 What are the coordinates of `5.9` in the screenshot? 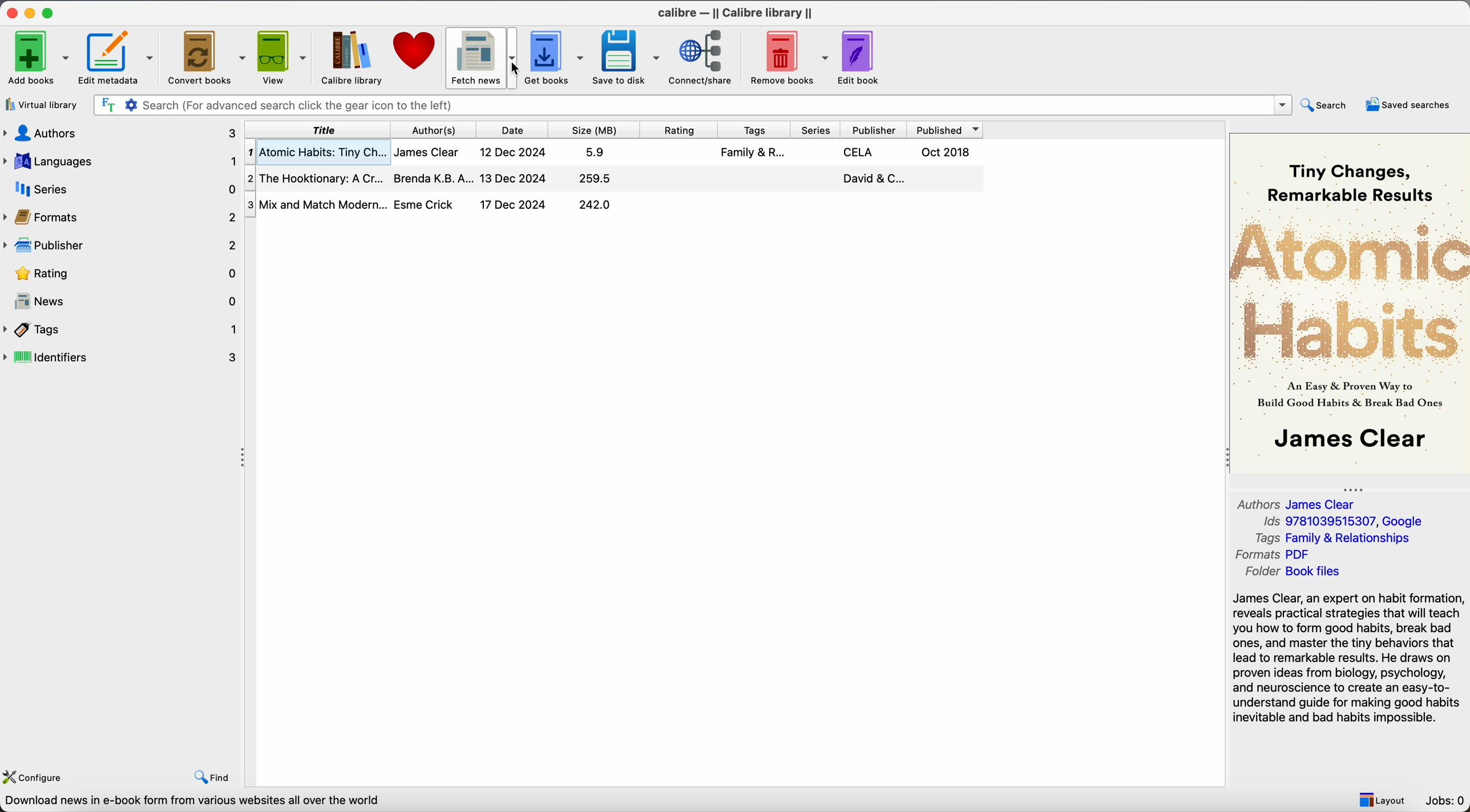 It's located at (597, 152).